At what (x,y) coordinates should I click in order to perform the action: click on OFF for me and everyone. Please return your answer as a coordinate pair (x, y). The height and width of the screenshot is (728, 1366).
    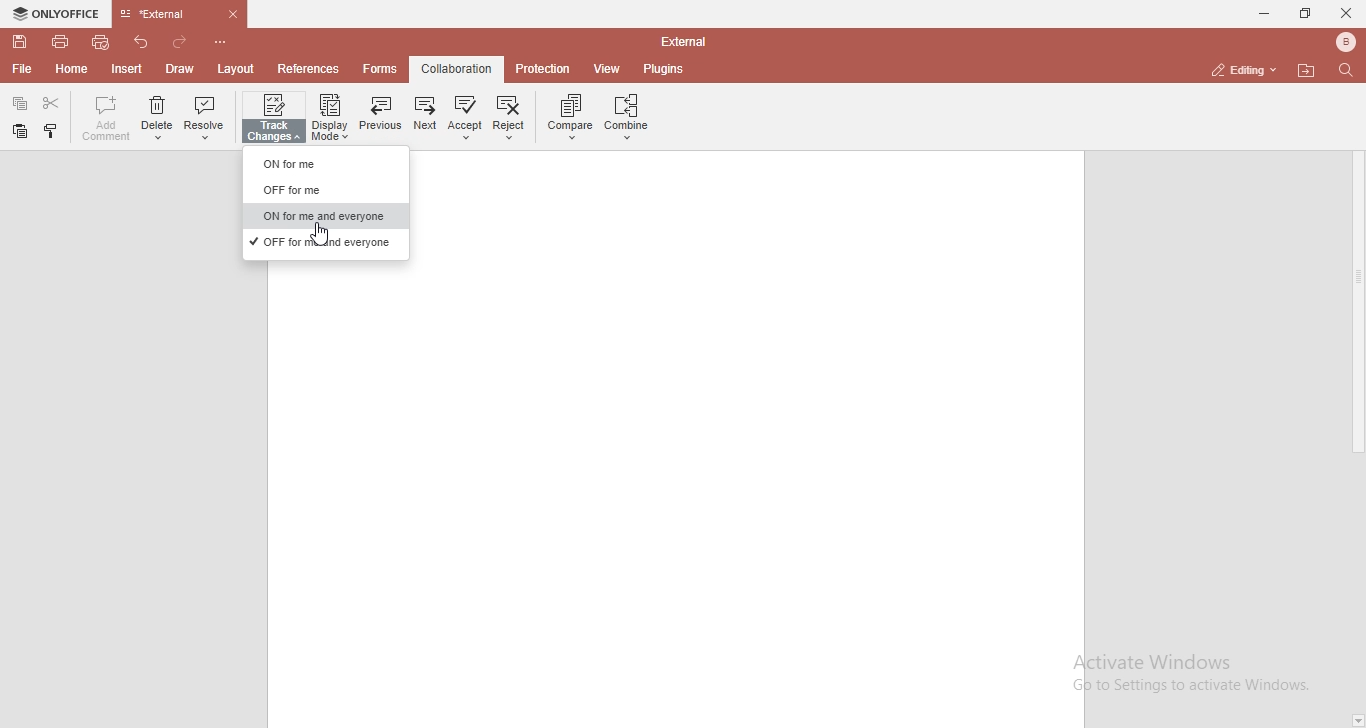
    Looking at the image, I should click on (320, 241).